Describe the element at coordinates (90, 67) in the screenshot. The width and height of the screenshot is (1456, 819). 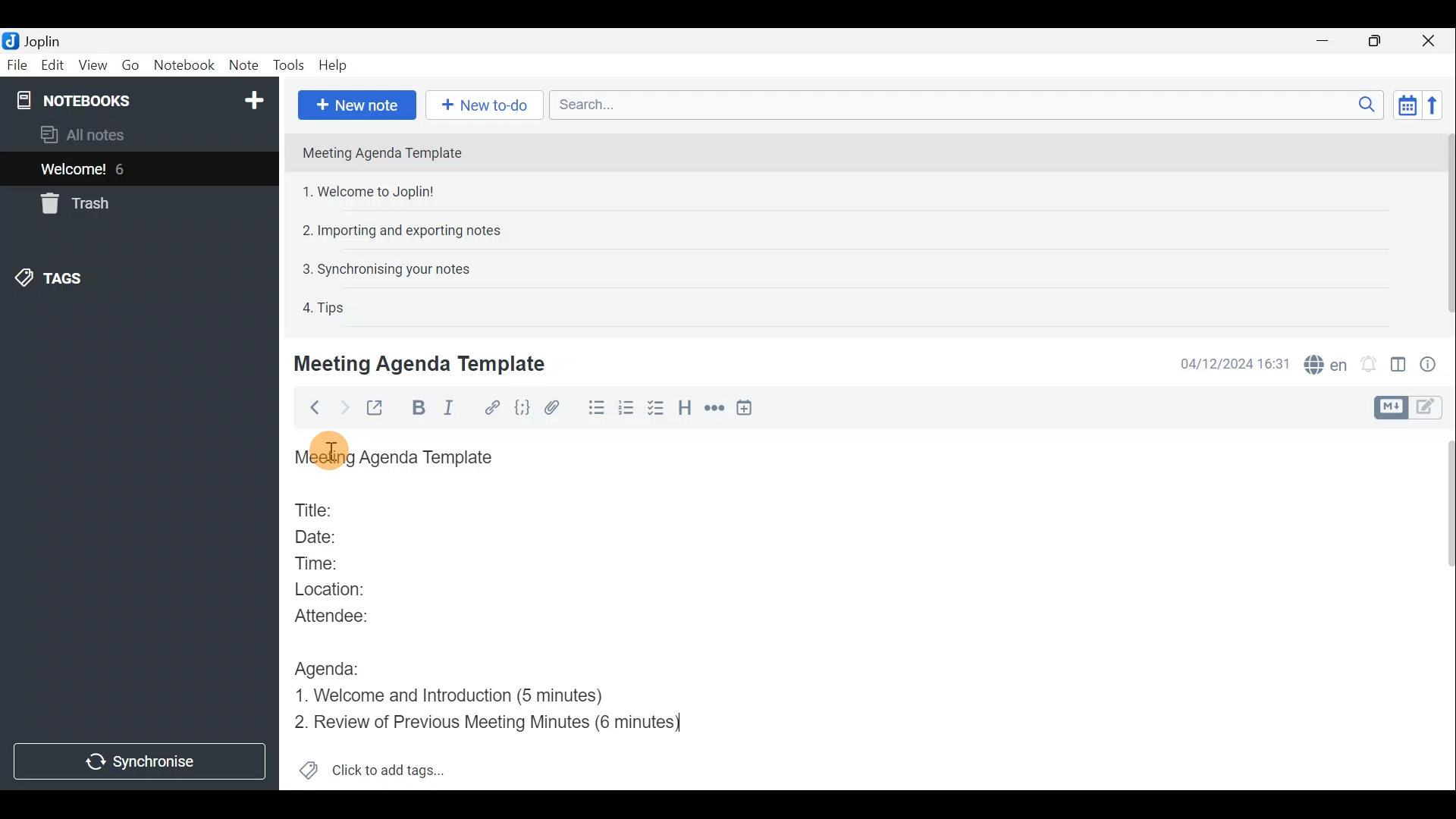
I see `View` at that location.